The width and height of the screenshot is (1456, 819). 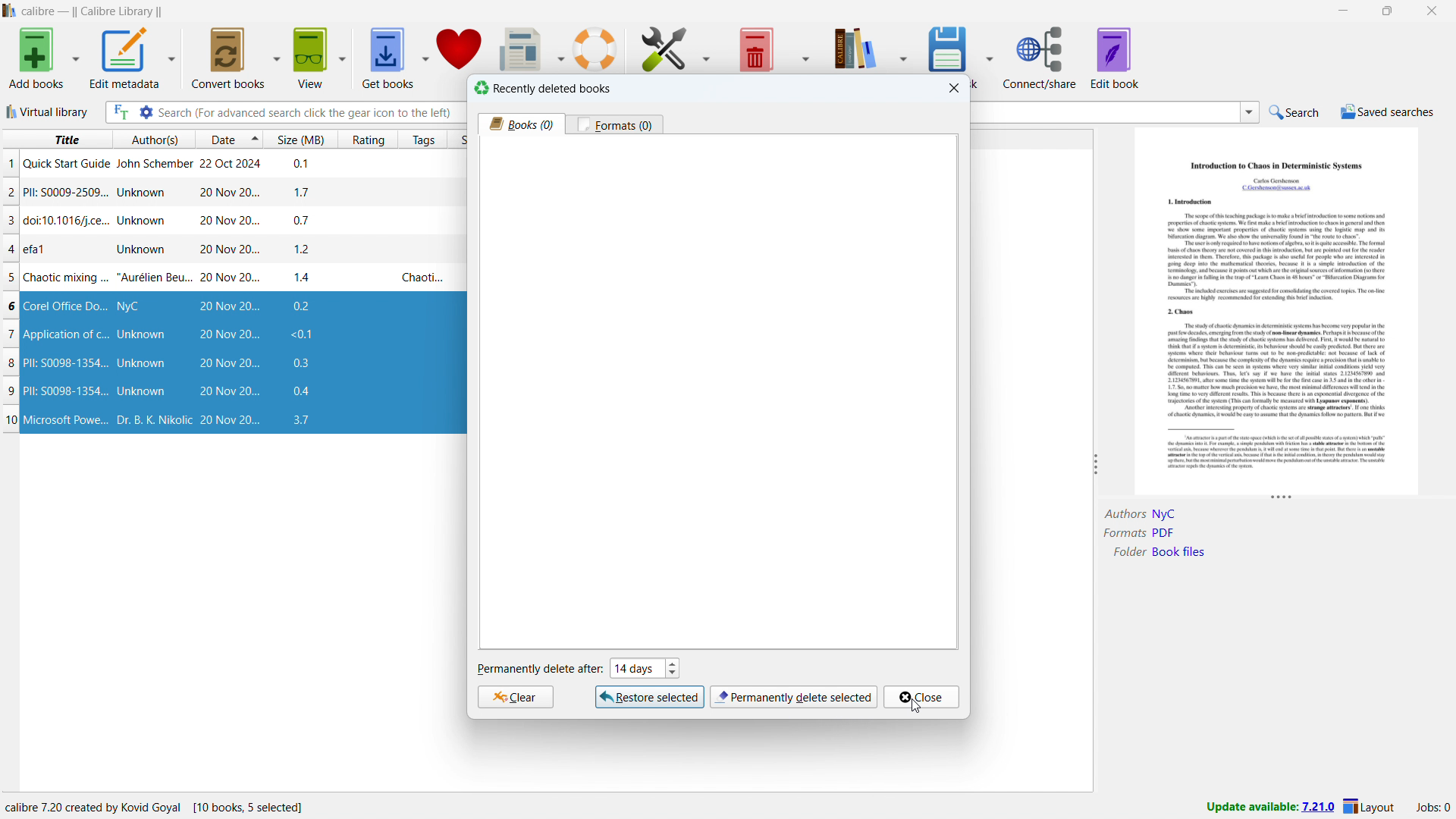 What do you see at coordinates (214, 139) in the screenshot?
I see `sort by date` at bounding box center [214, 139].